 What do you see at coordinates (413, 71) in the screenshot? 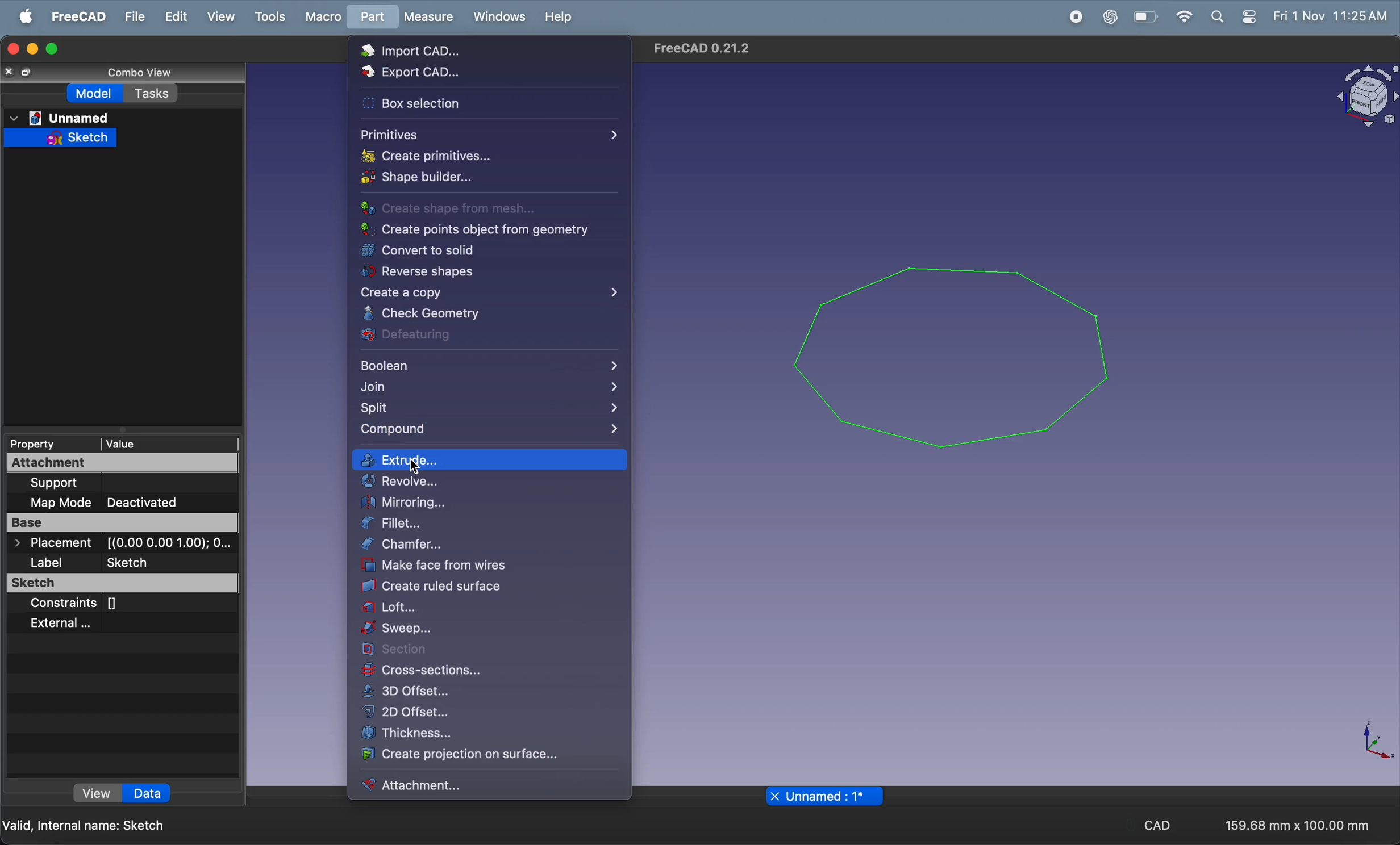
I see `export cad` at bounding box center [413, 71].